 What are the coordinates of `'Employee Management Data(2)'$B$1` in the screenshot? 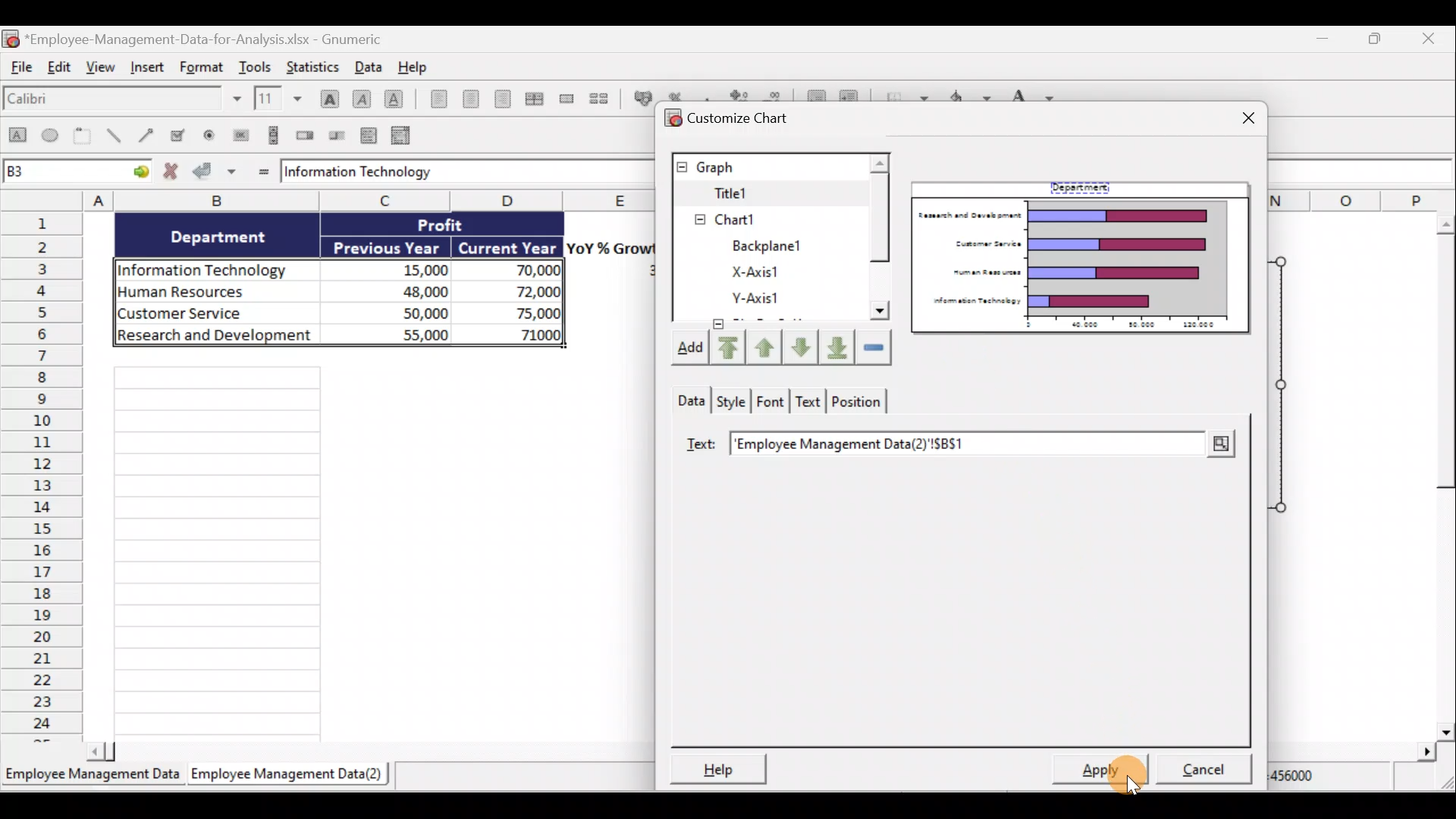 It's located at (913, 446).